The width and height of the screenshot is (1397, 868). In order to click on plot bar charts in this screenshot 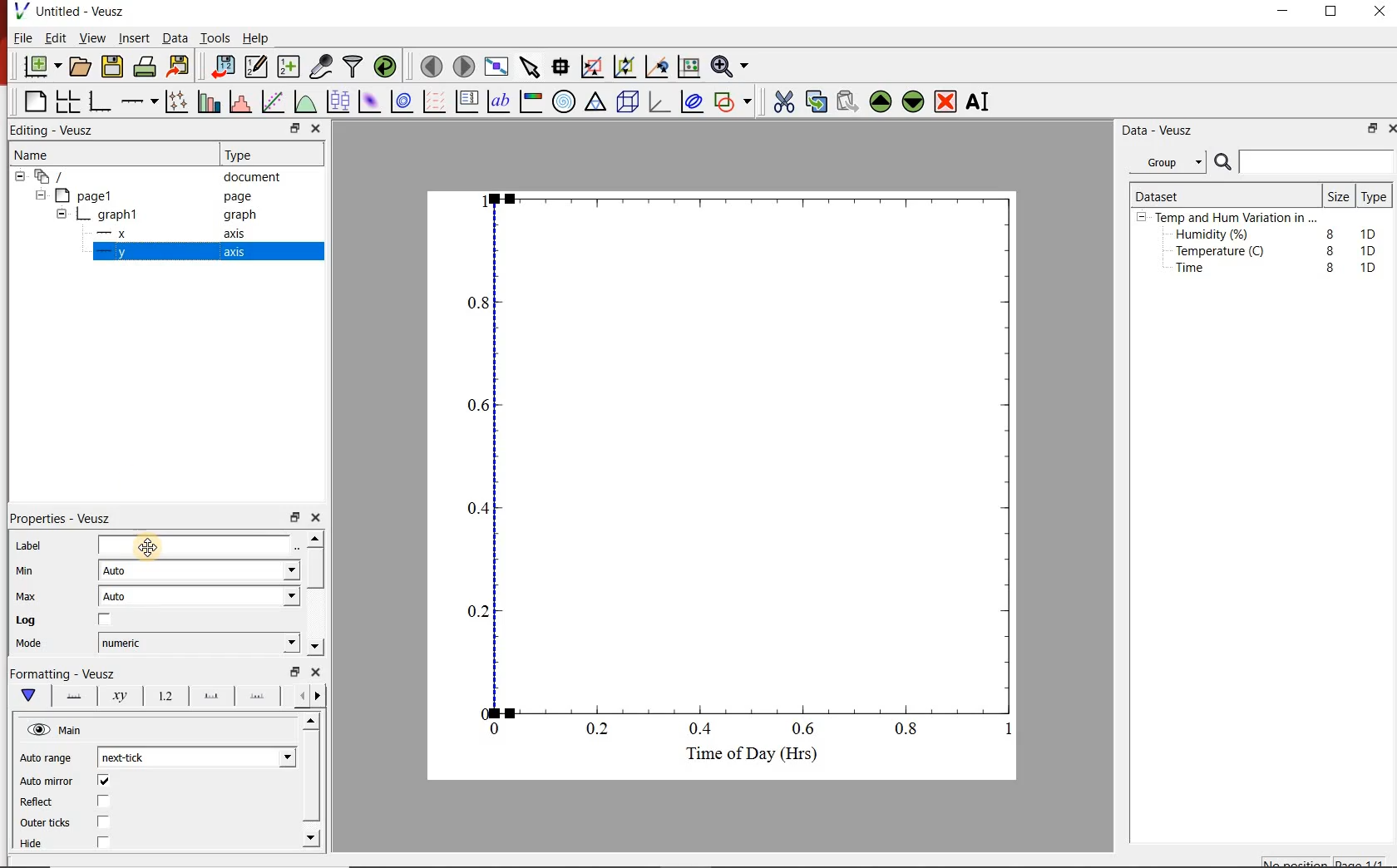, I will do `click(210, 99)`.